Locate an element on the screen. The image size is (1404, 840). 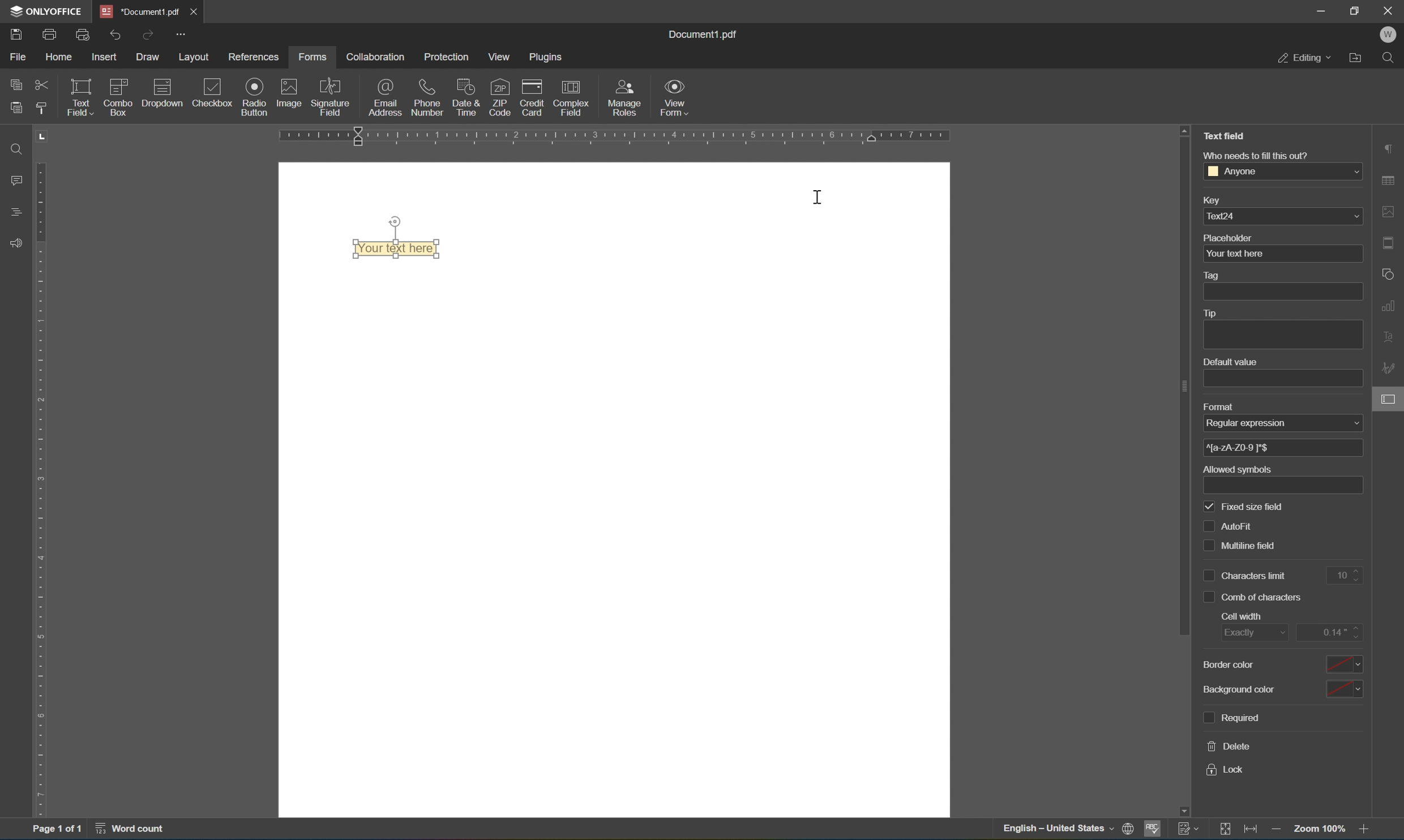
find is located at coordinates (16, 148).